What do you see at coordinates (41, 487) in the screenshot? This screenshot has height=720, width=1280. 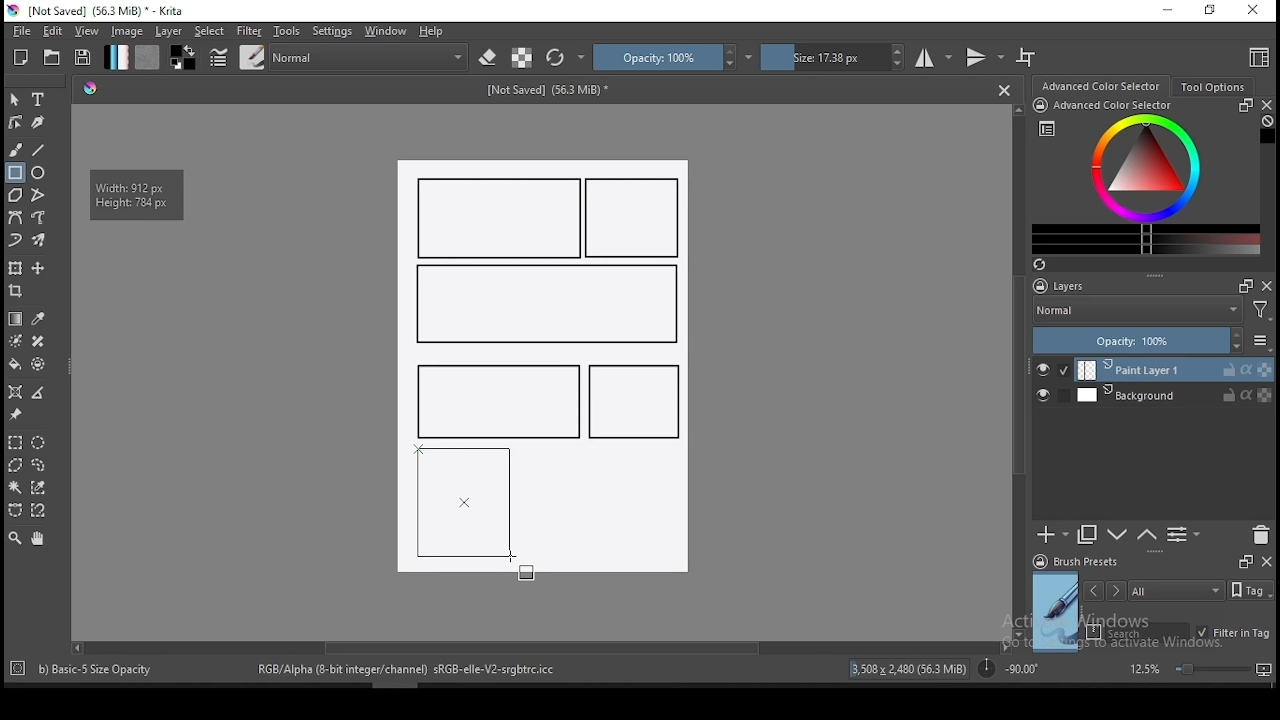 I see `similar color selection tool` at bounding box center [41, 487].